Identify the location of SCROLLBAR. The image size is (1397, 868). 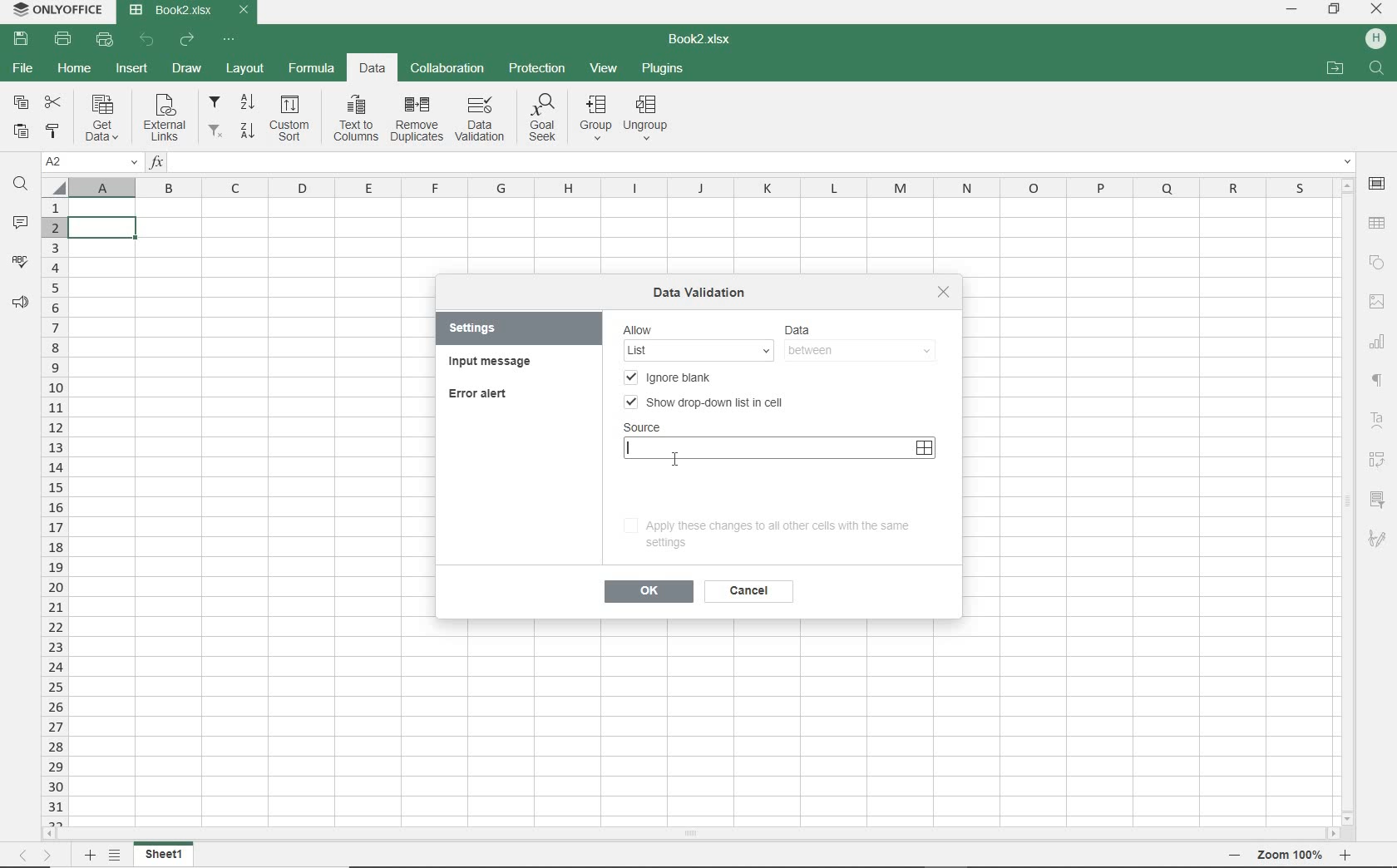
(688, 831).